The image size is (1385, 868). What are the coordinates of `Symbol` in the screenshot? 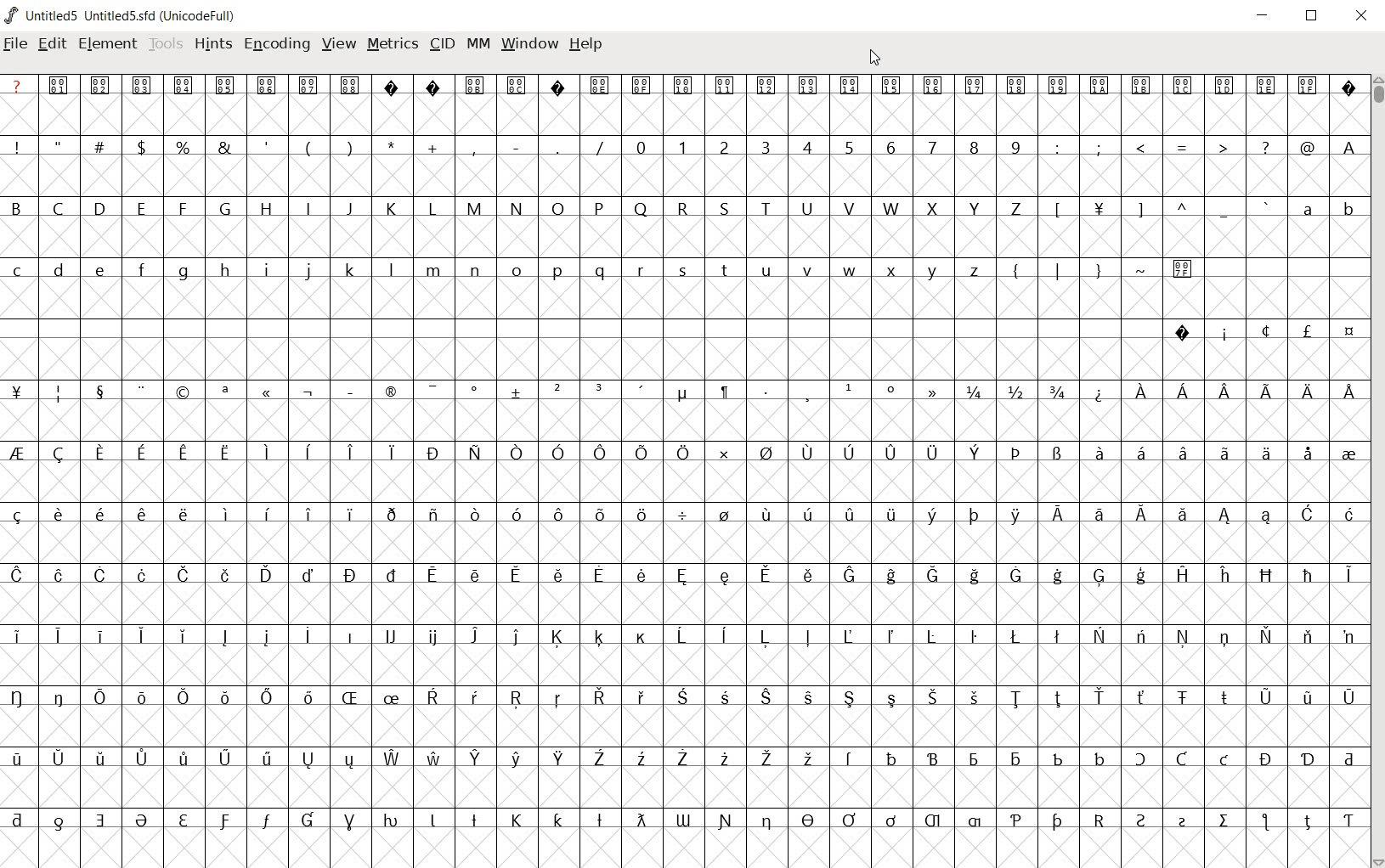 It's located at (518, 514).